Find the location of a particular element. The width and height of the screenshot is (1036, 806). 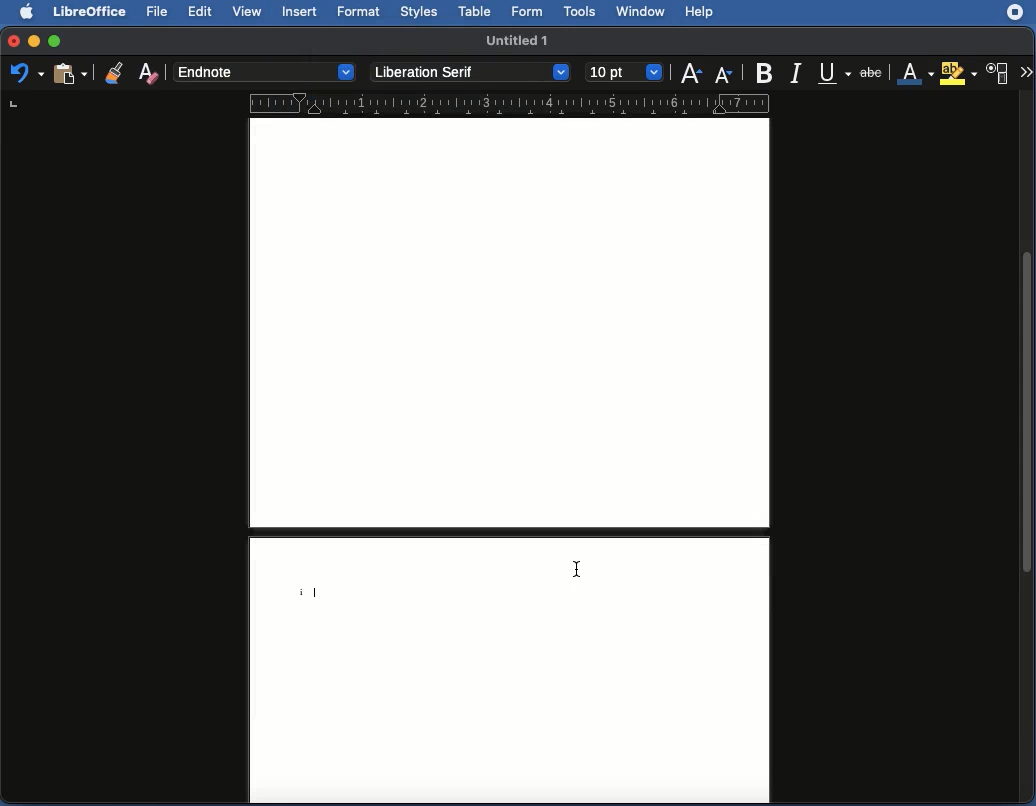

Endnote is located at coordinates (308, 590).